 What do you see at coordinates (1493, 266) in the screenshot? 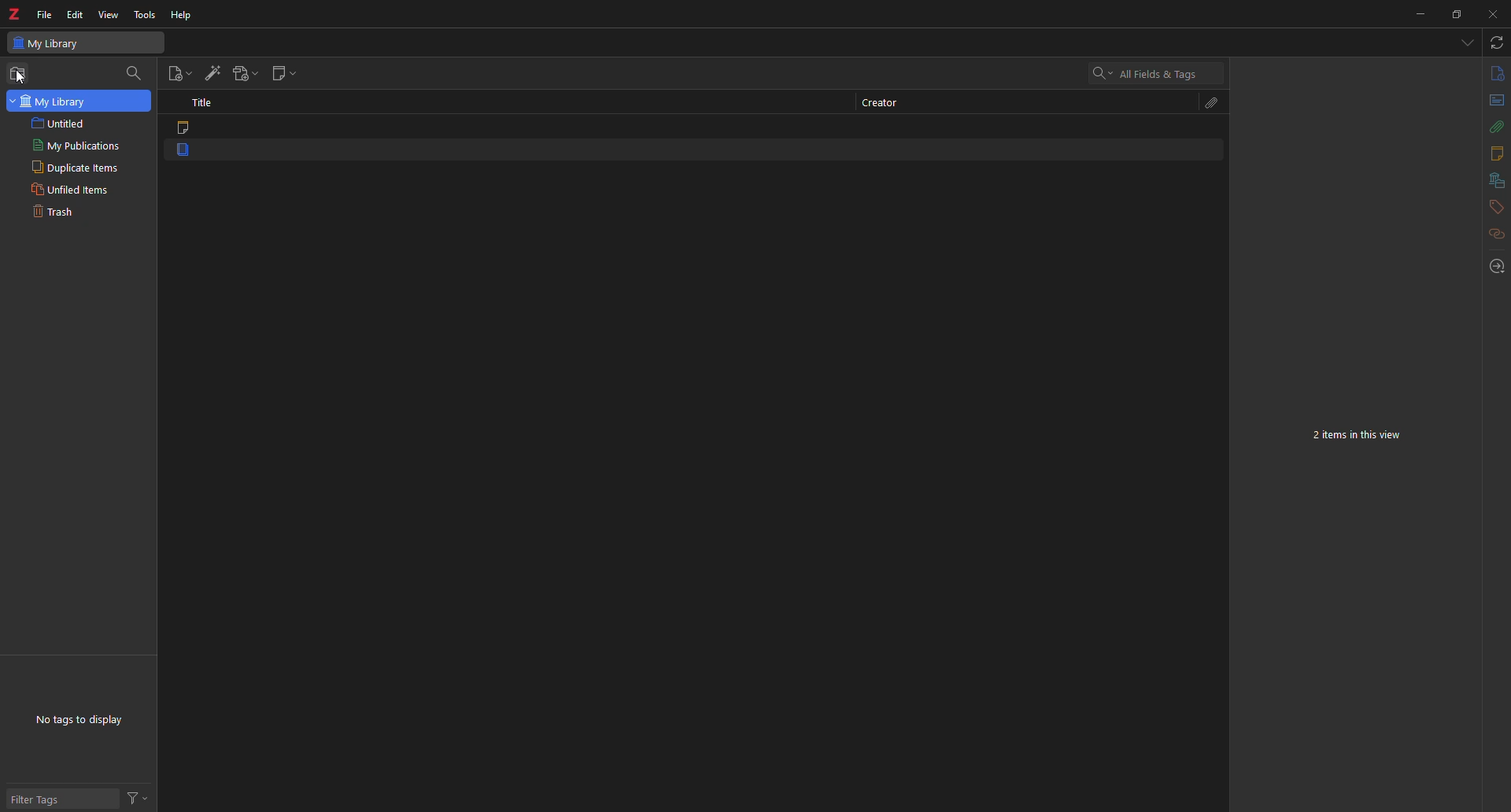
I see `locate` at bounding box center [1493, 266].